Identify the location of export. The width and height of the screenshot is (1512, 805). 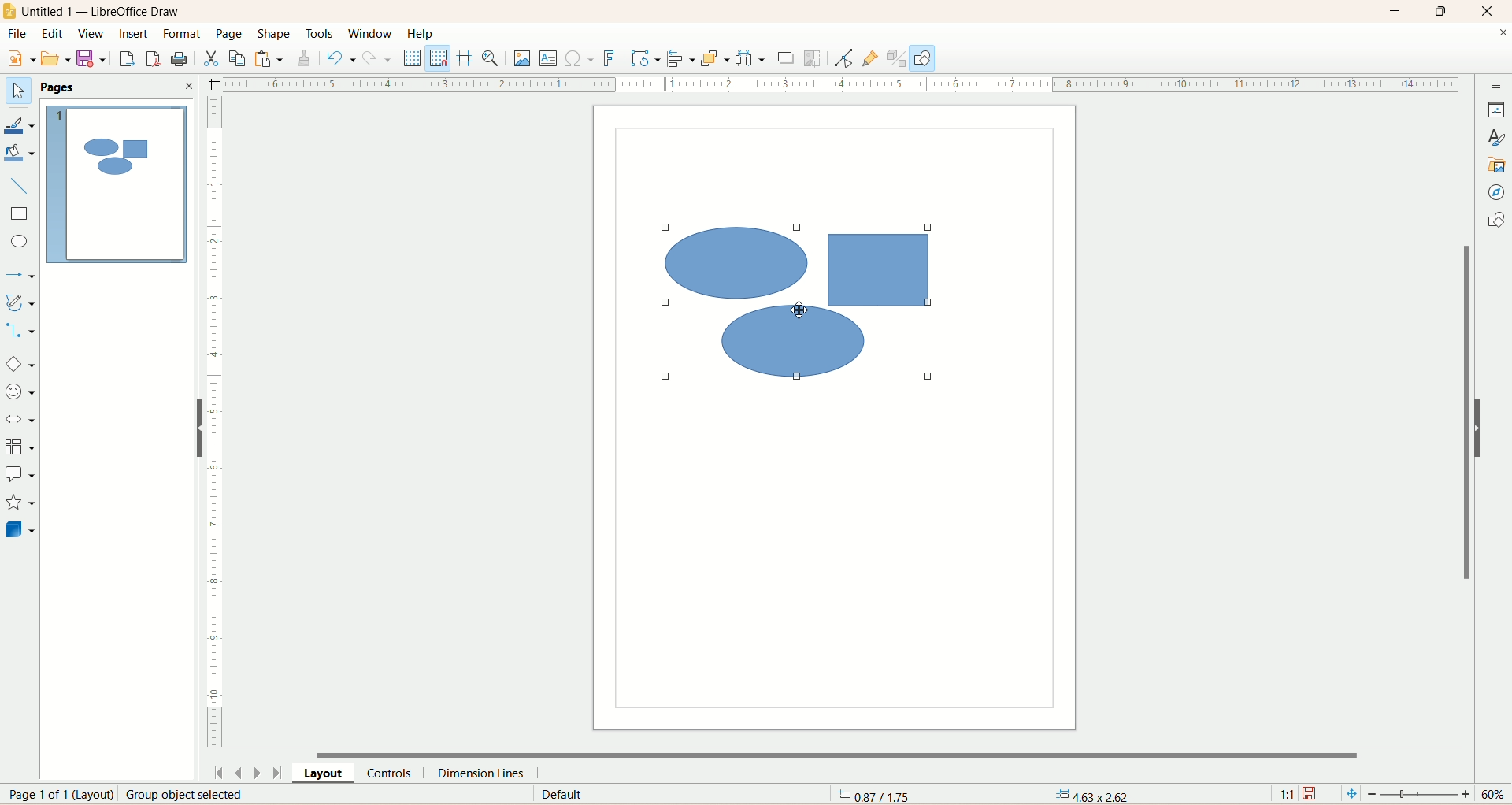
(125, 59).